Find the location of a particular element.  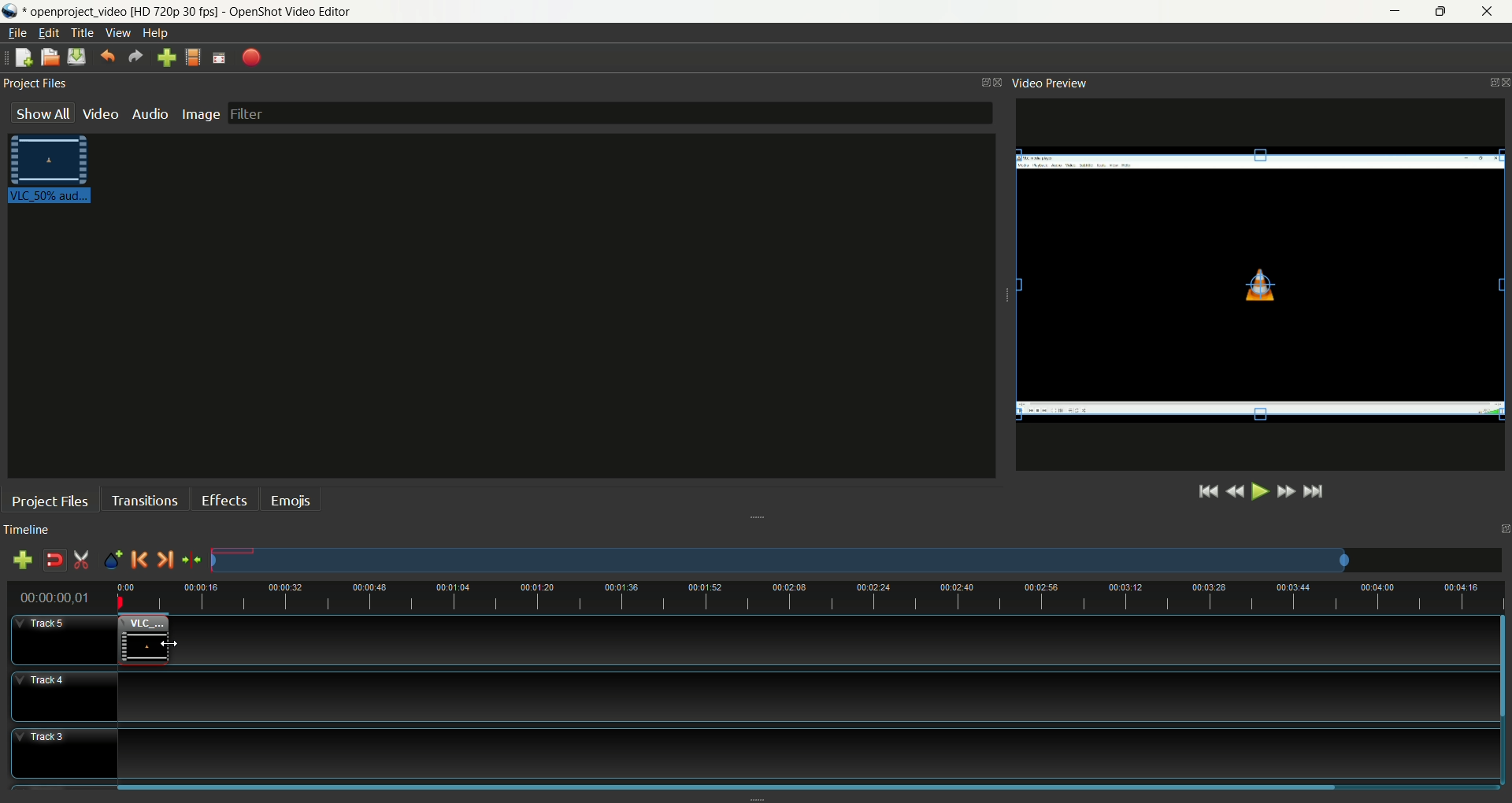

export video is located at coordinates (252, 57).